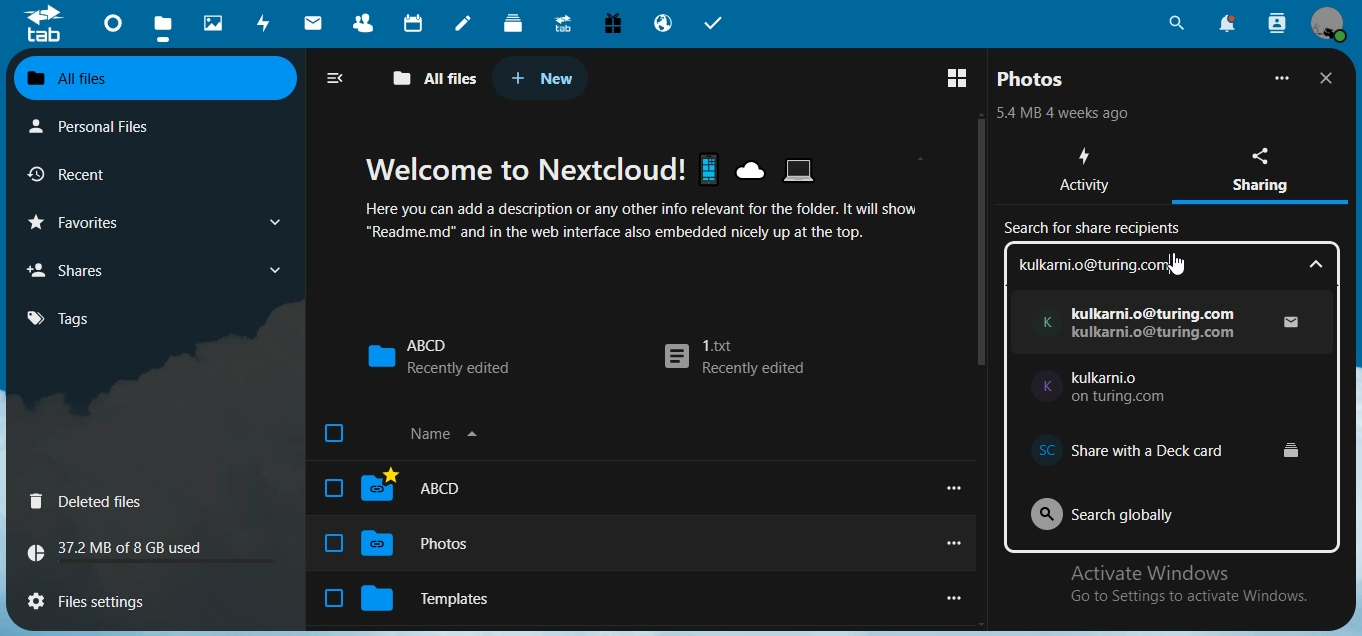 This screenshot has width=1362, height=636. What do you see at coordinates (1268, 167) in the screenshot?
I see `sharing` at bounding box center [1268, 167].